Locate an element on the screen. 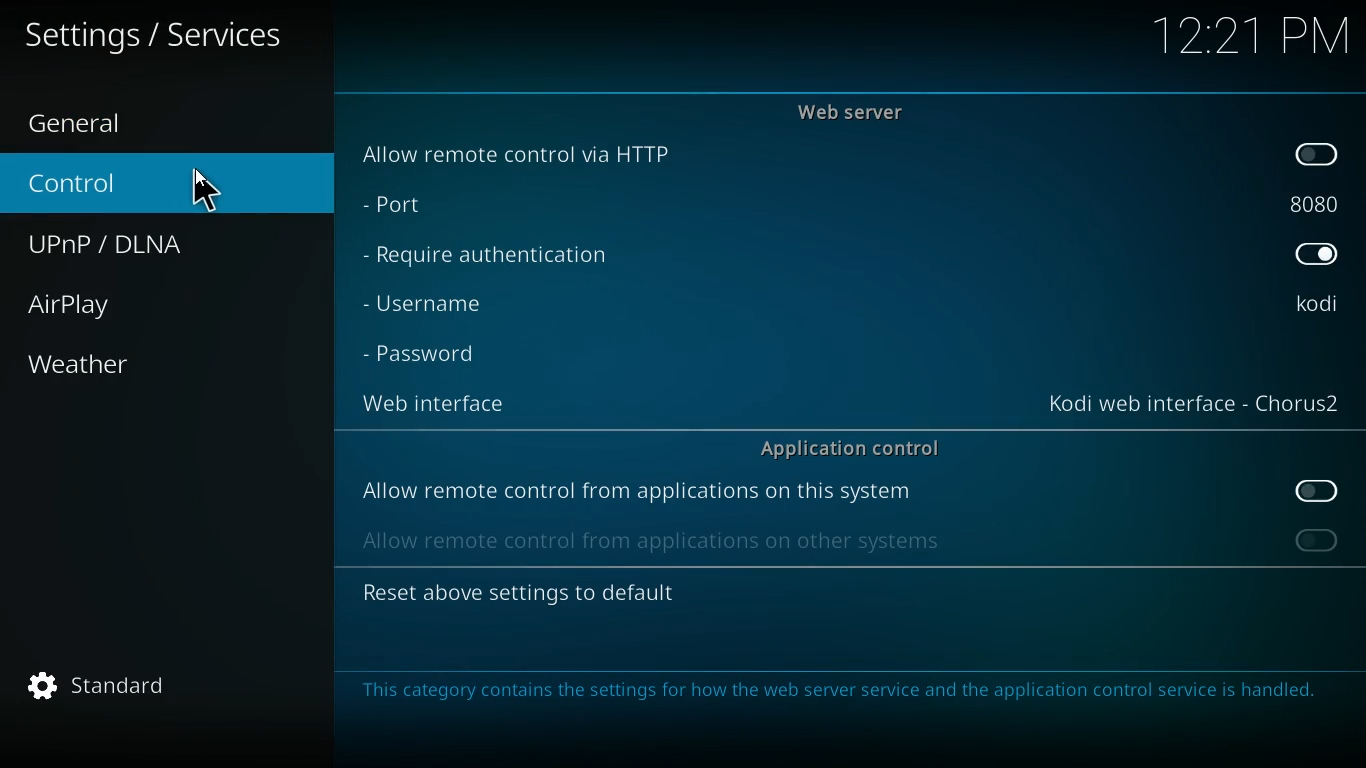 This screenshot has height=768, width=1366. off is located at coordinates (1321, 494).